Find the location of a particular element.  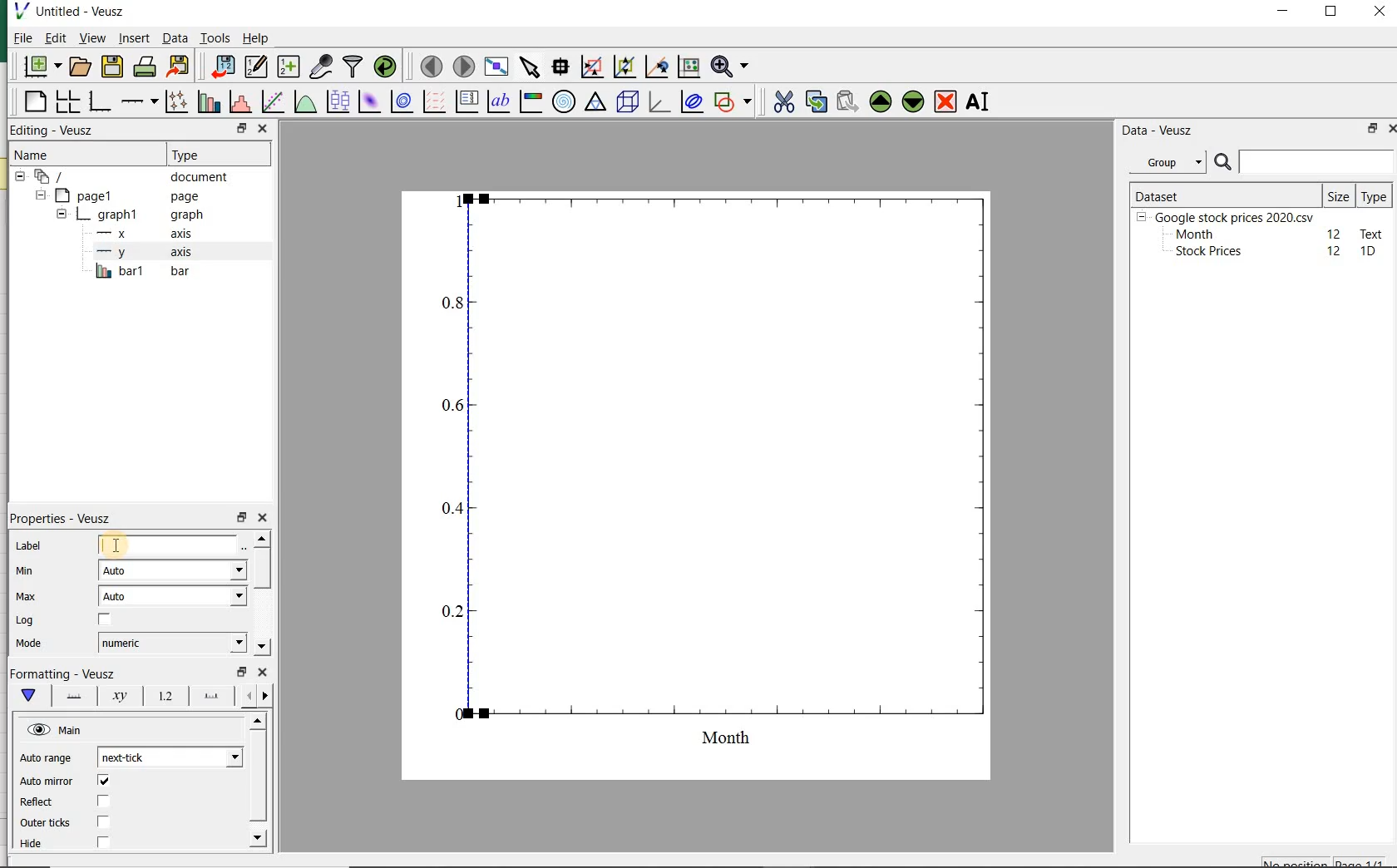

click to zoom out of graph axes is located at coordinates (623, 65).